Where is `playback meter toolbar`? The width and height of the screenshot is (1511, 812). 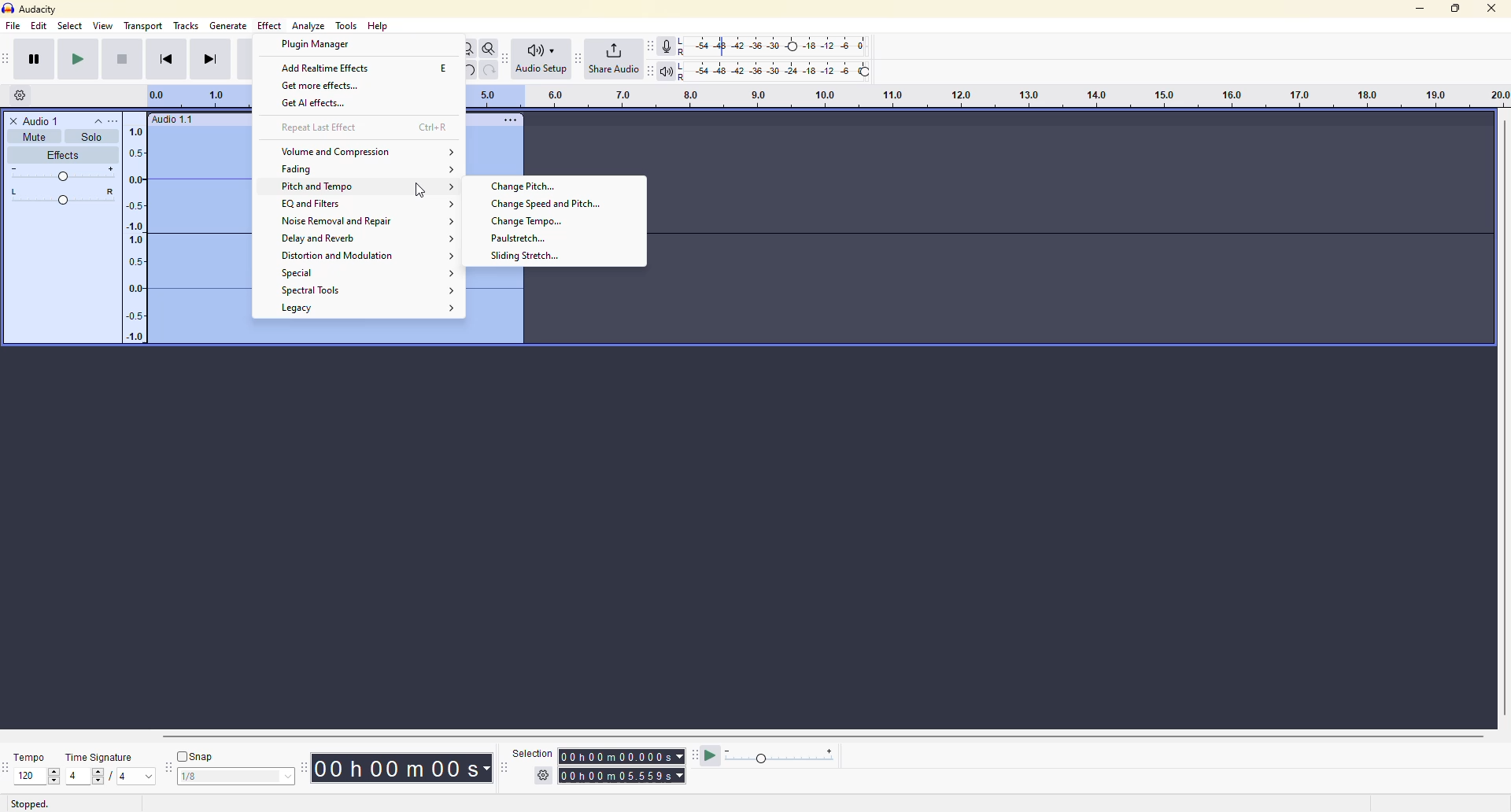 playback meter toolbar is located at coordinates (650, 69).